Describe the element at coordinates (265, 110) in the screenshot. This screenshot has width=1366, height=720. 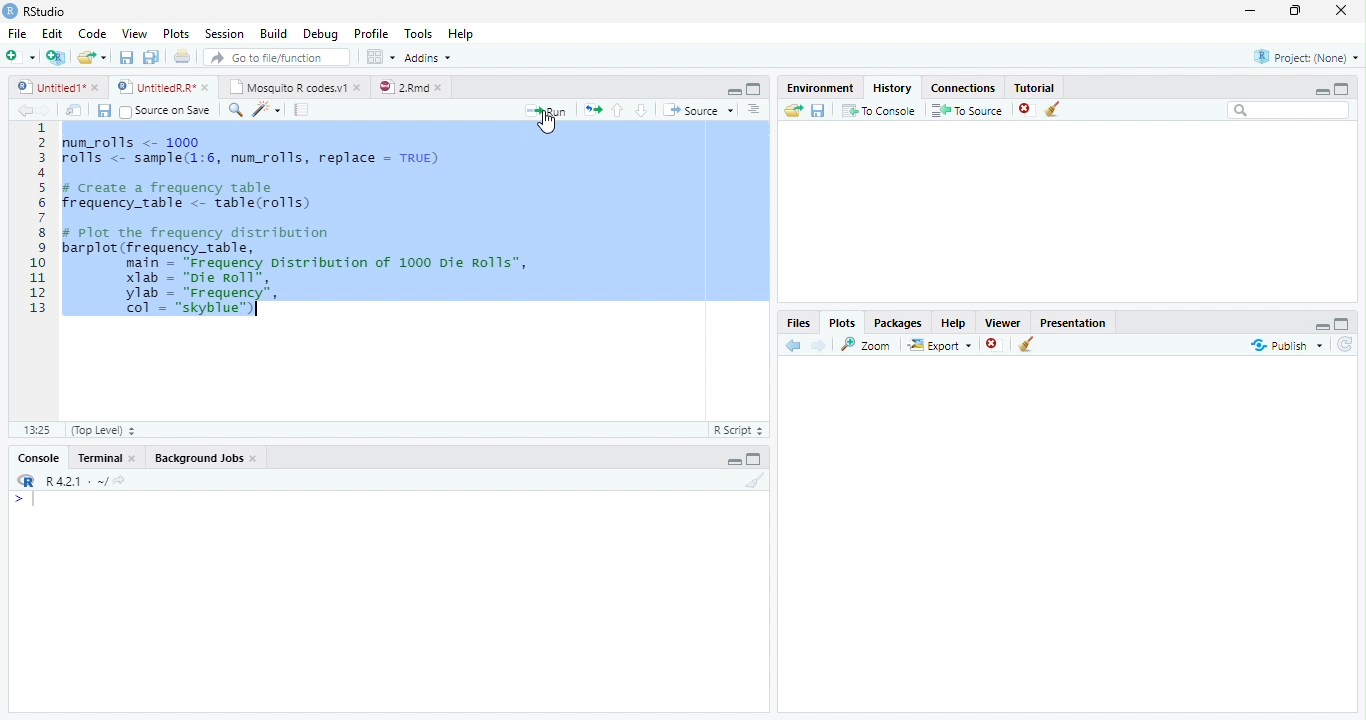
I see `Code Tools` at that location.